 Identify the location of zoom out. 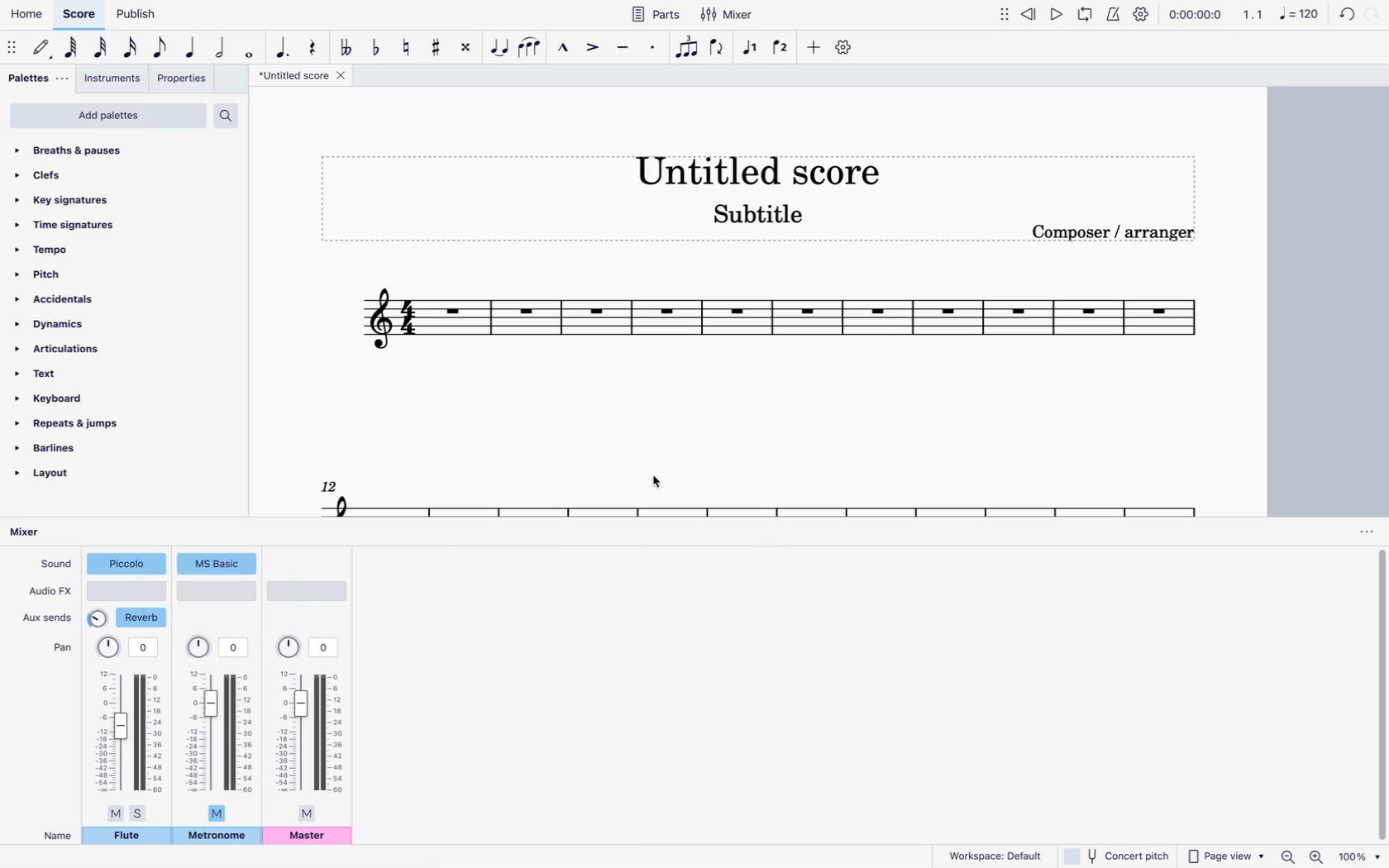
(1291, 856).